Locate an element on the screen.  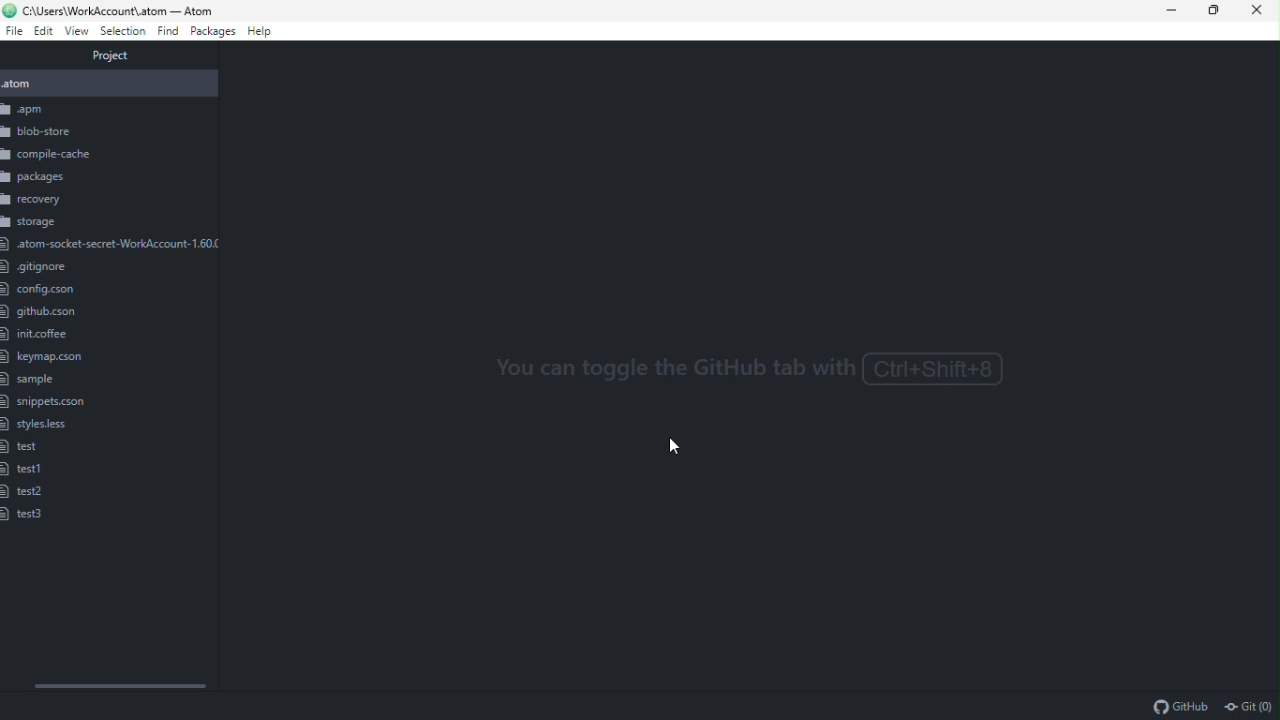
File name and file path is located at coordinates (112, 9).